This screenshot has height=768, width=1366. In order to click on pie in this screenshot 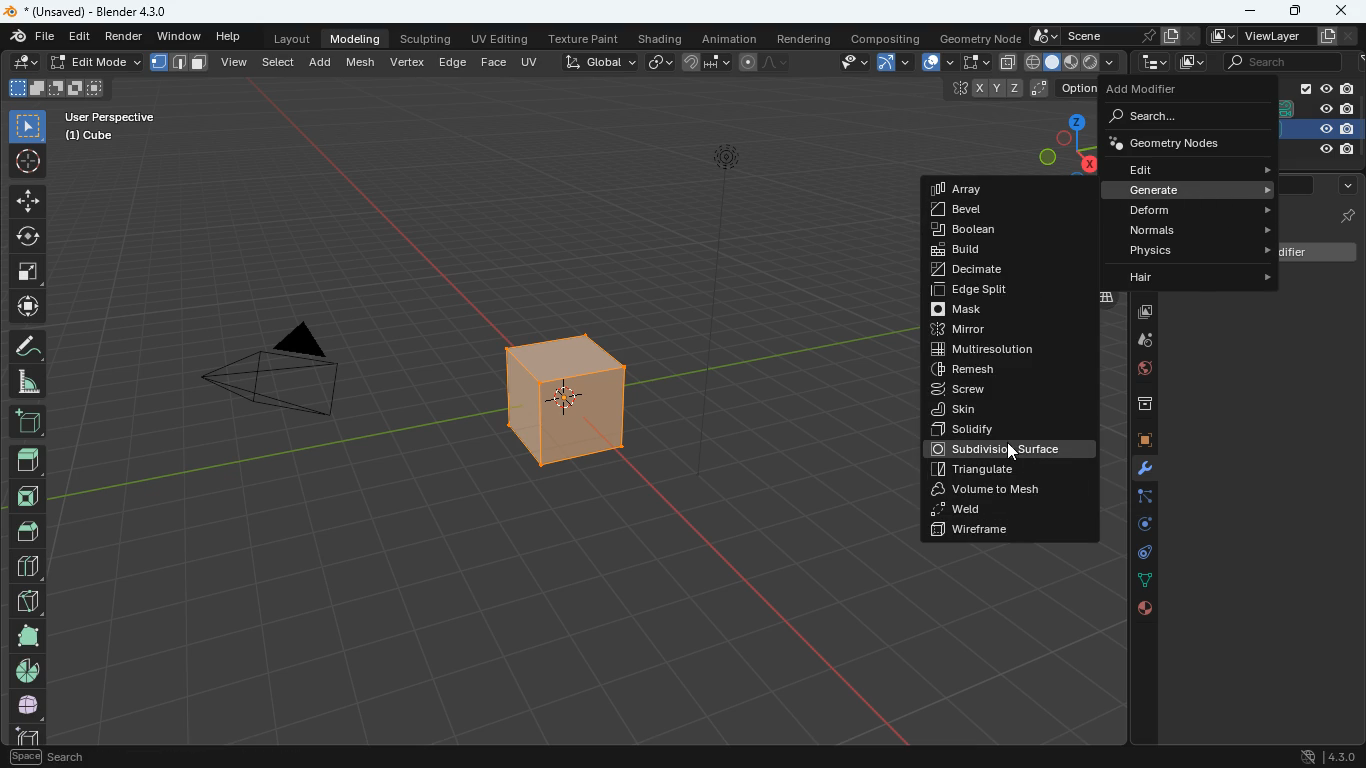, I will do `click(31, 671)`.